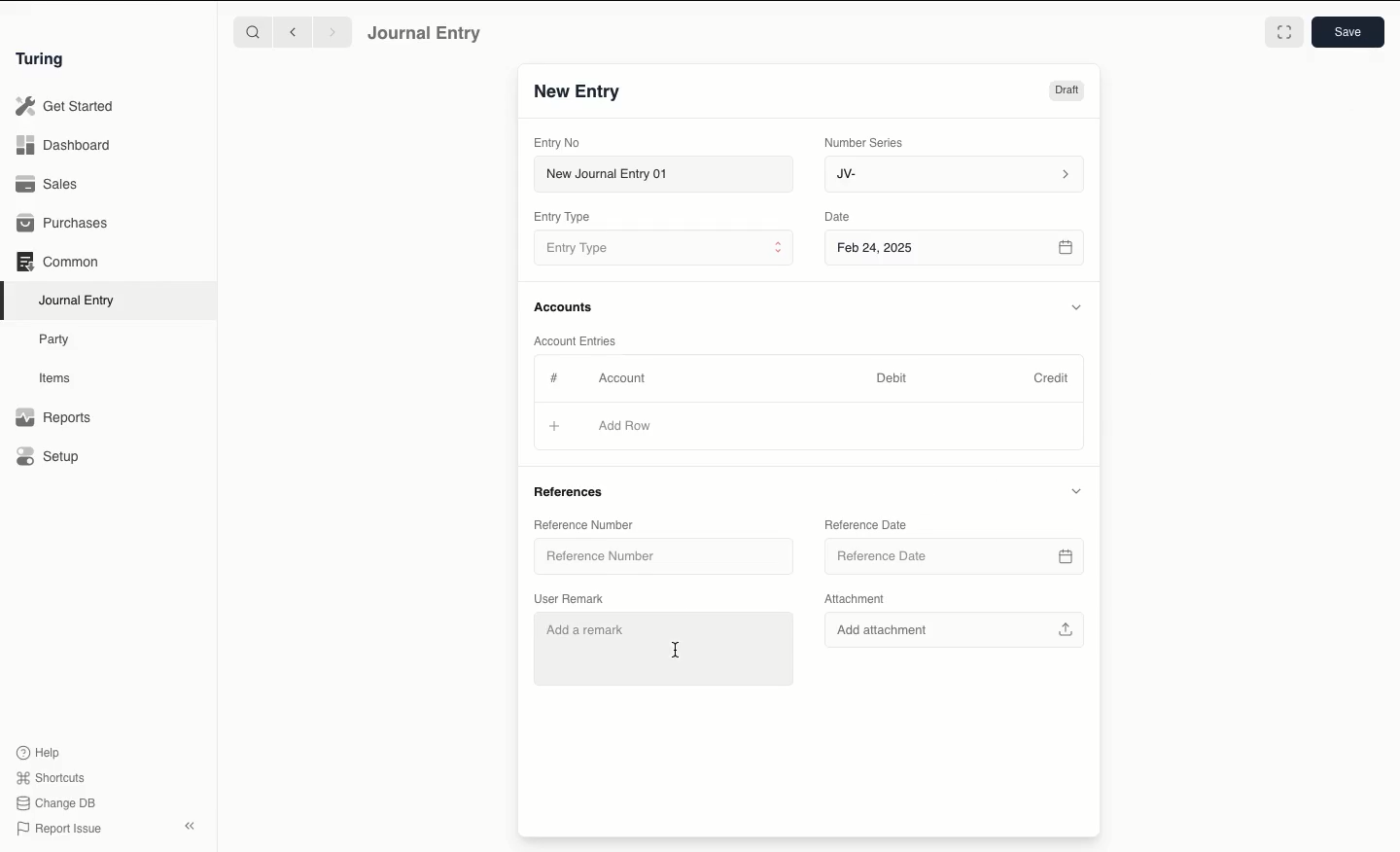  Describe the element at coordinates (576, 492) in the screenshot. I see `References` at that location.